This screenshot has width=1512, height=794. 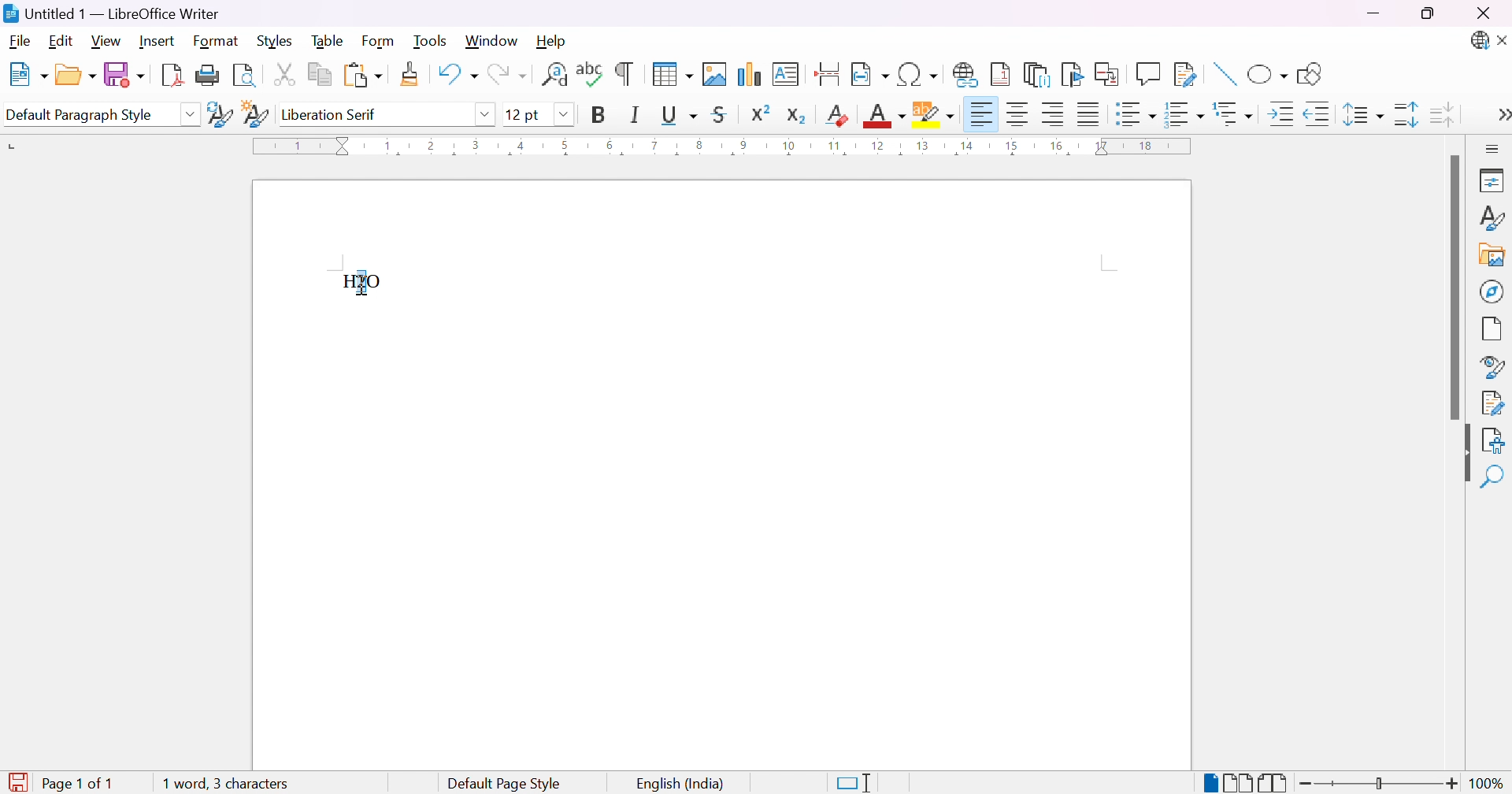 What do you see at coordinates (328, 39) in the screenshot?
I see `Table` at bounding box center [328, 39].